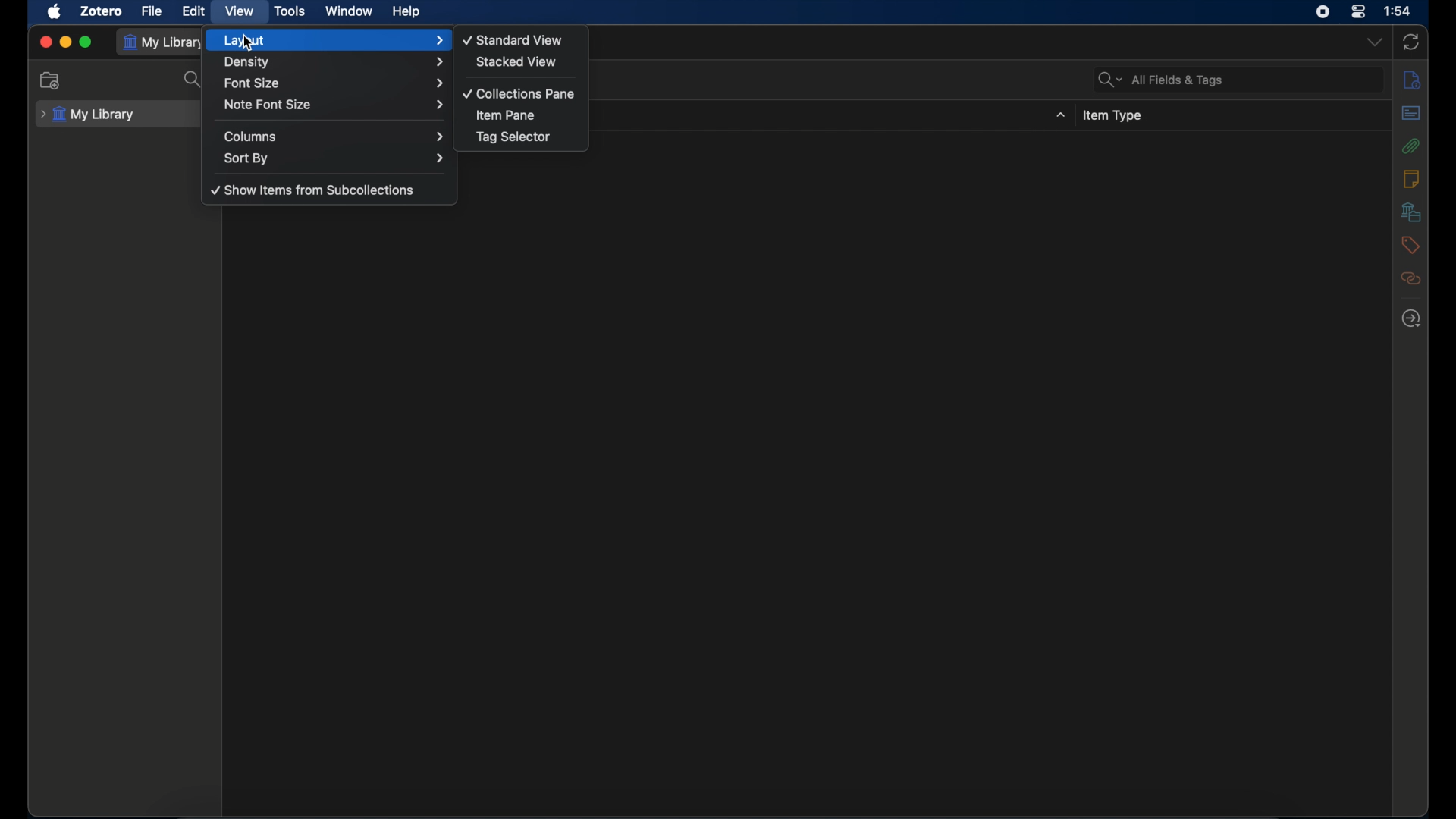 This screenshot has height=819, width=1456. Describe the element at coordinates (519, 93) in the screenshot. I see `collections pane` at that location.